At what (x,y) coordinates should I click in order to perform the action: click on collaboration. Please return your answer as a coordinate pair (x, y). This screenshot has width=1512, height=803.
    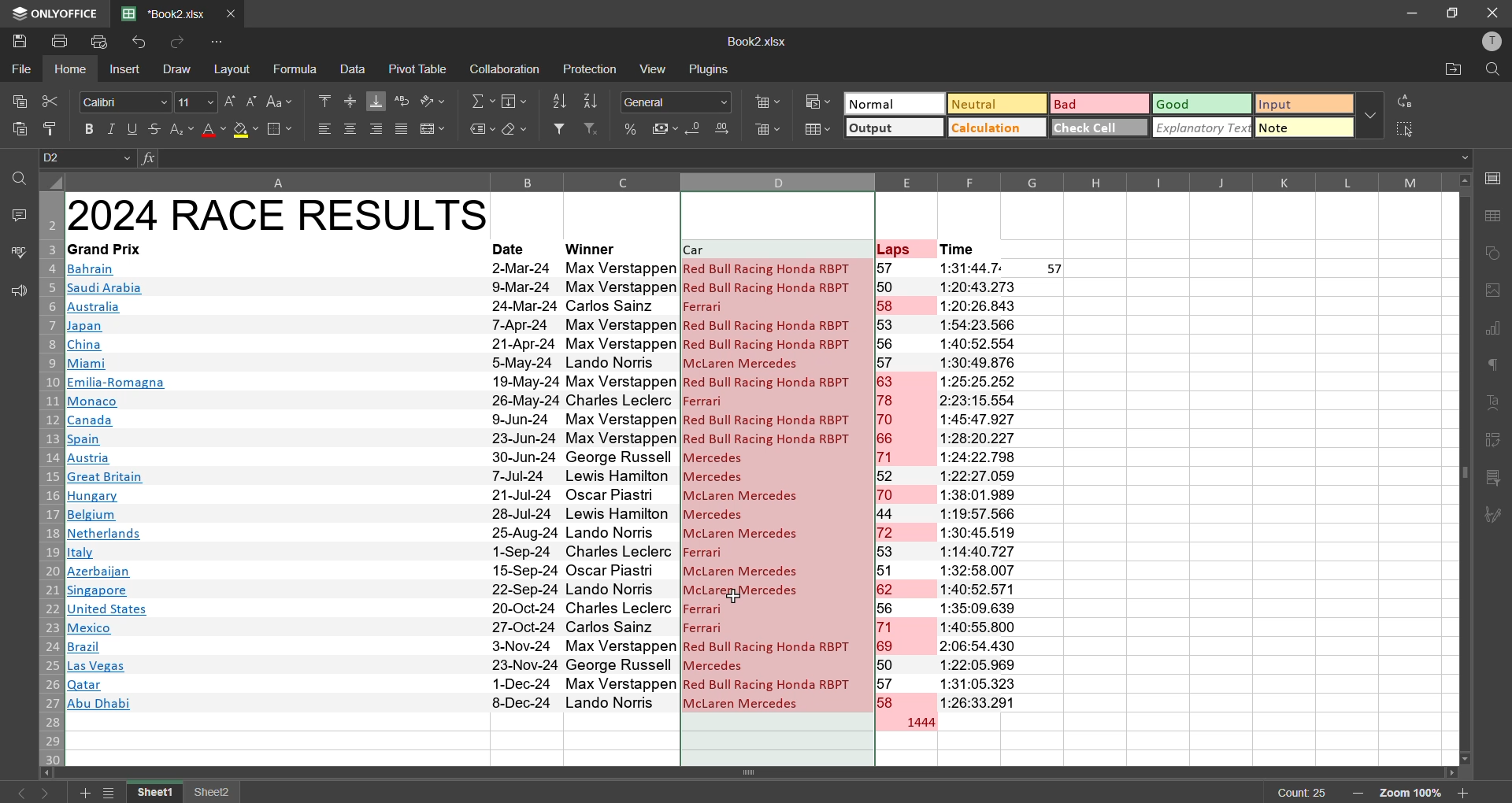
    Looking at the image, I should click on (502, 70).